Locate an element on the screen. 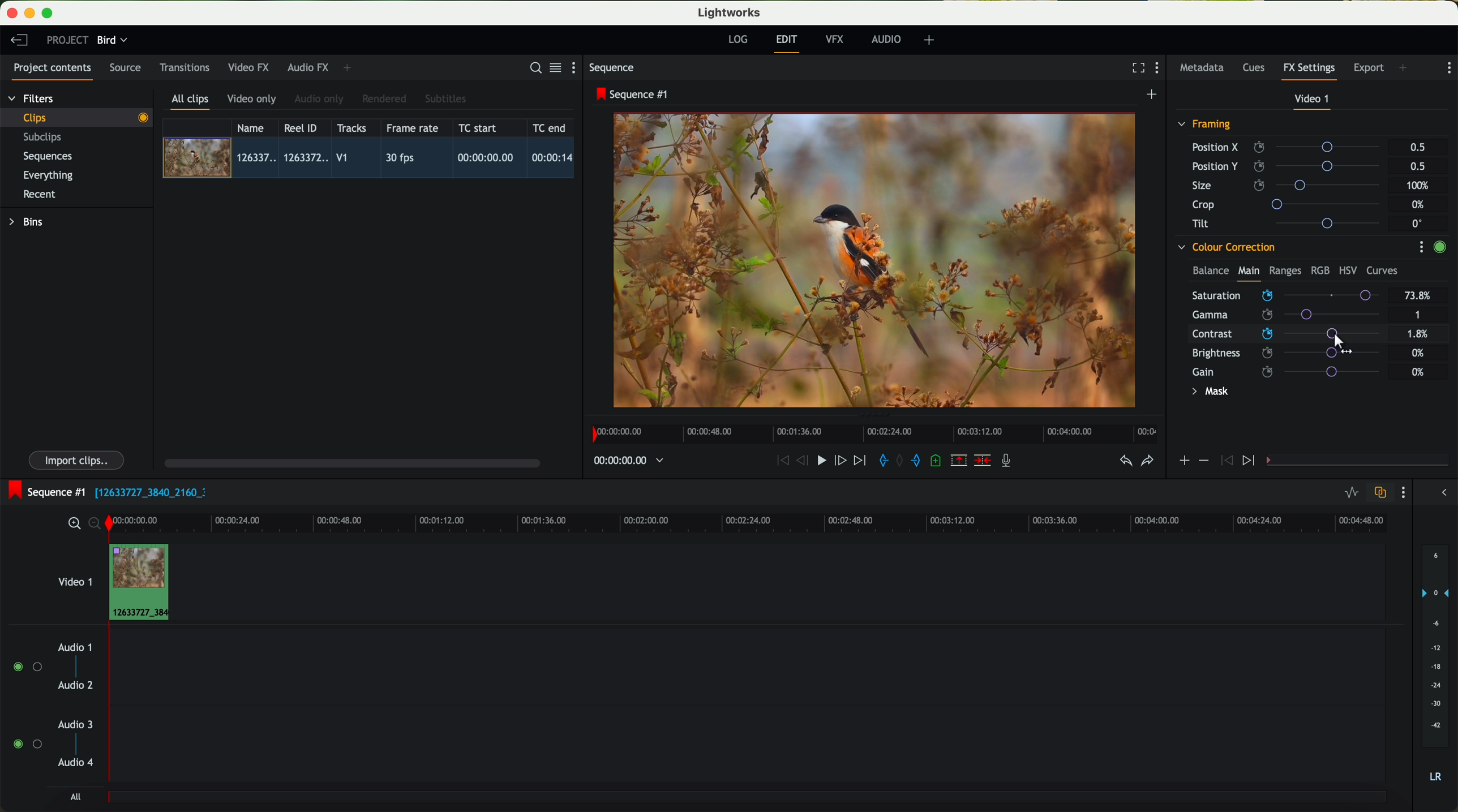 This screenshot has width=1458, height=812. show/hide the full audio mix is located at coordinates (1440, 493).